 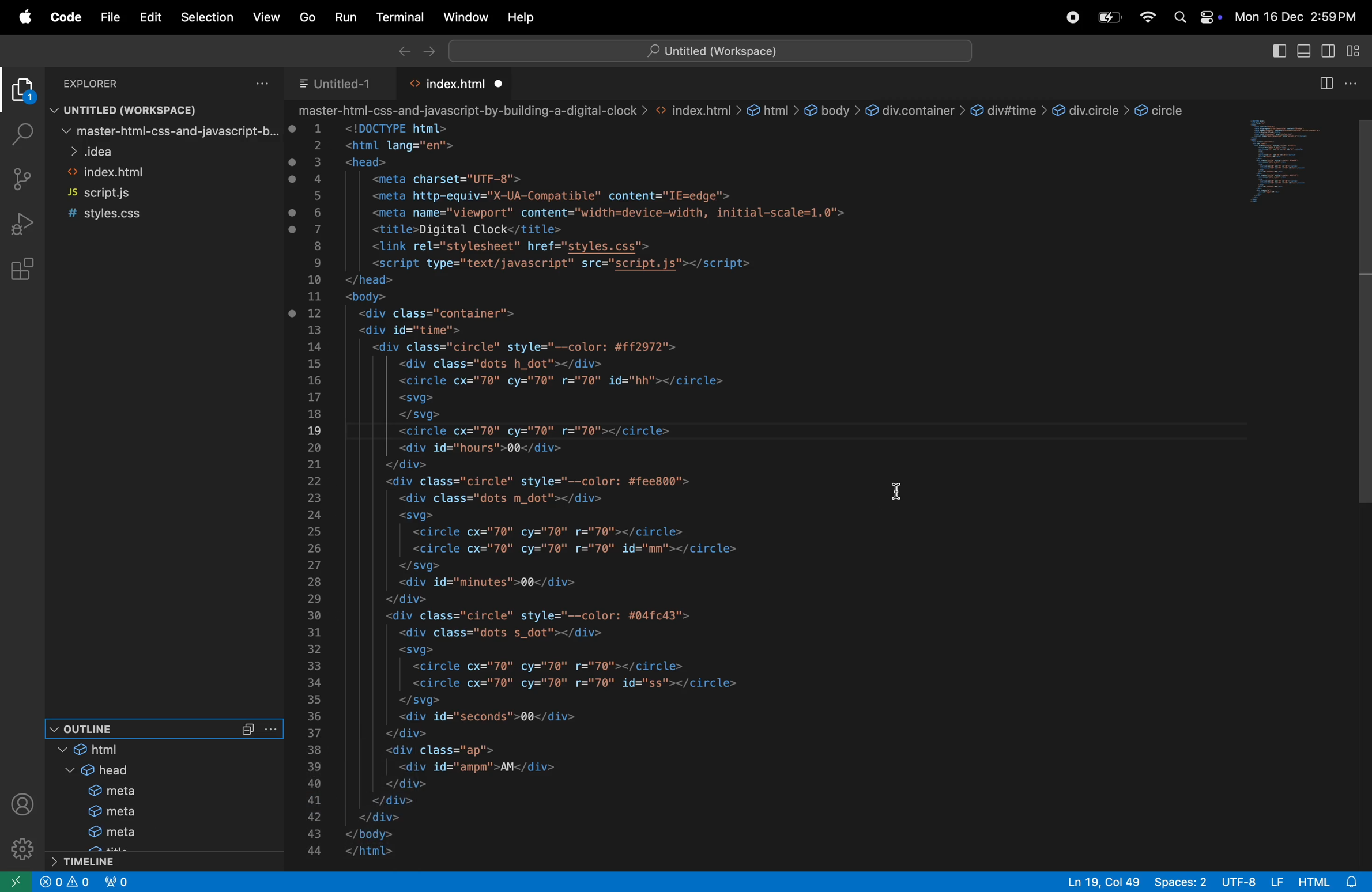 I want to click on options, so click(x=1356, y=82).